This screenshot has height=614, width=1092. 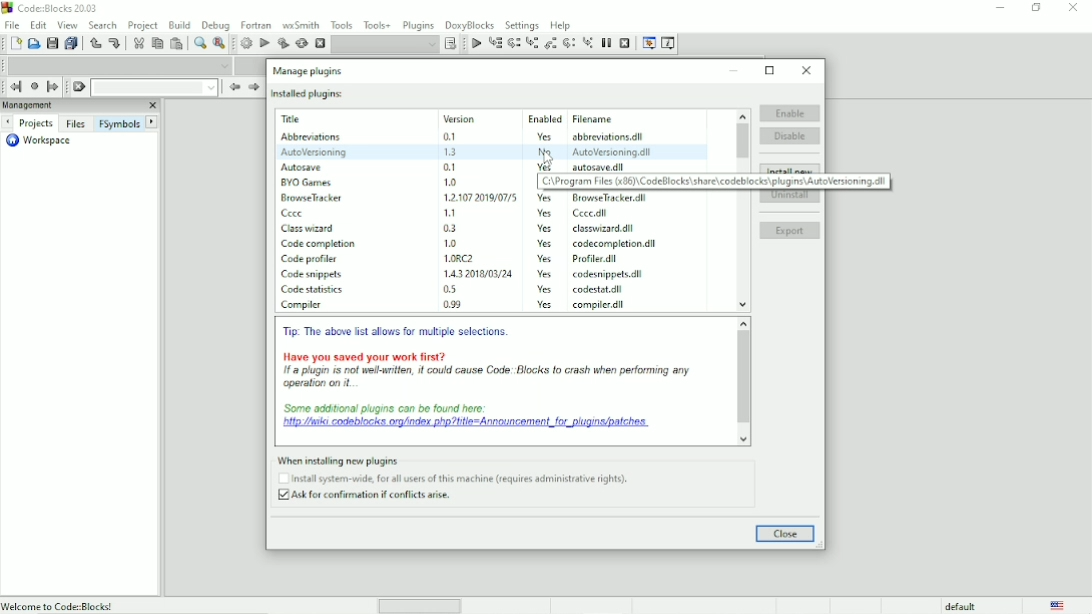 What do you see at coordinates (301, 25) in the screenshot?
I see `wxSmith` at bounding box center [301, 25].